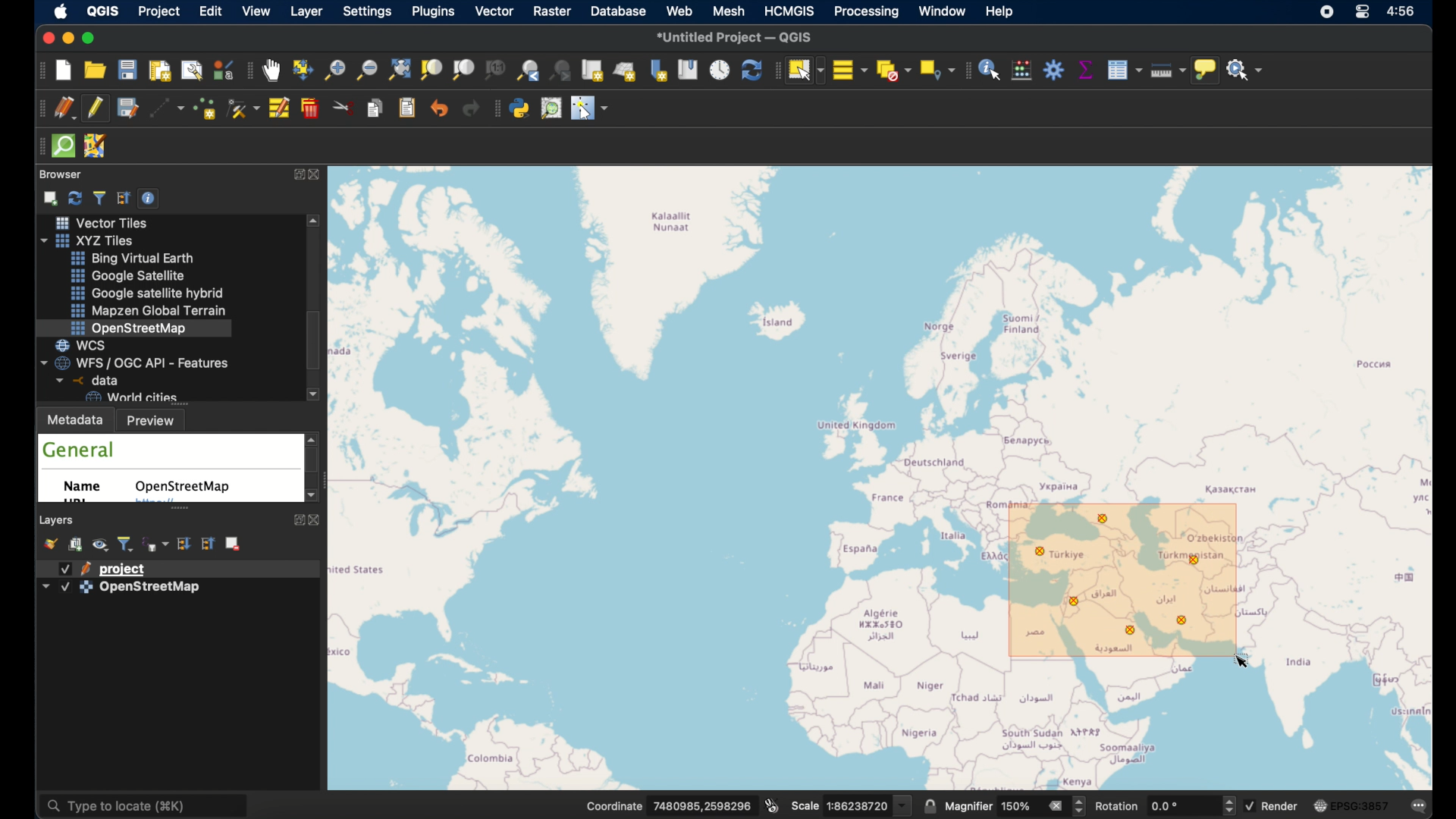 The image size is (1456, 819). I want to click on close, so click(315, 520).